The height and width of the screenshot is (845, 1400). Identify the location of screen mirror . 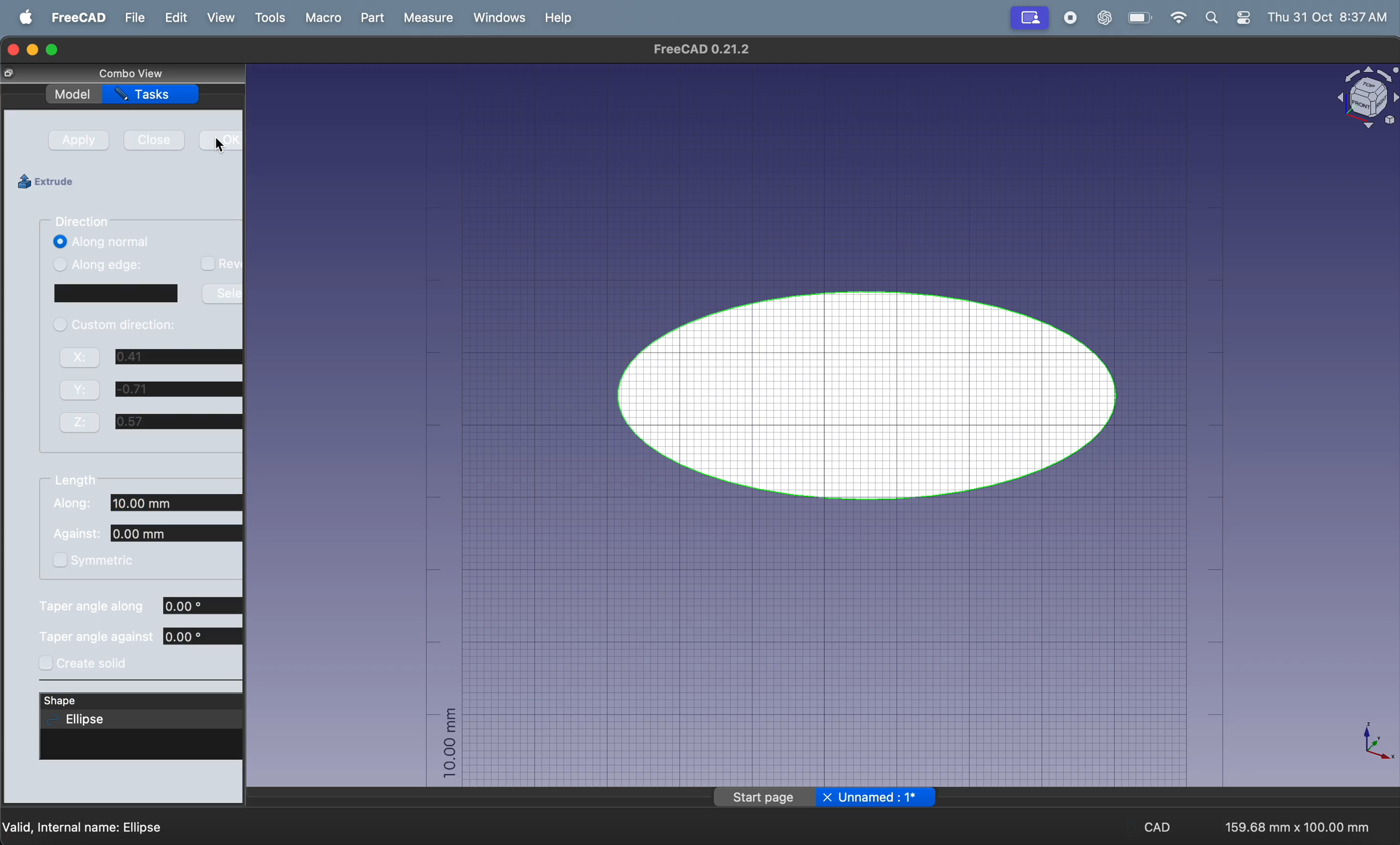
(1031, 19).